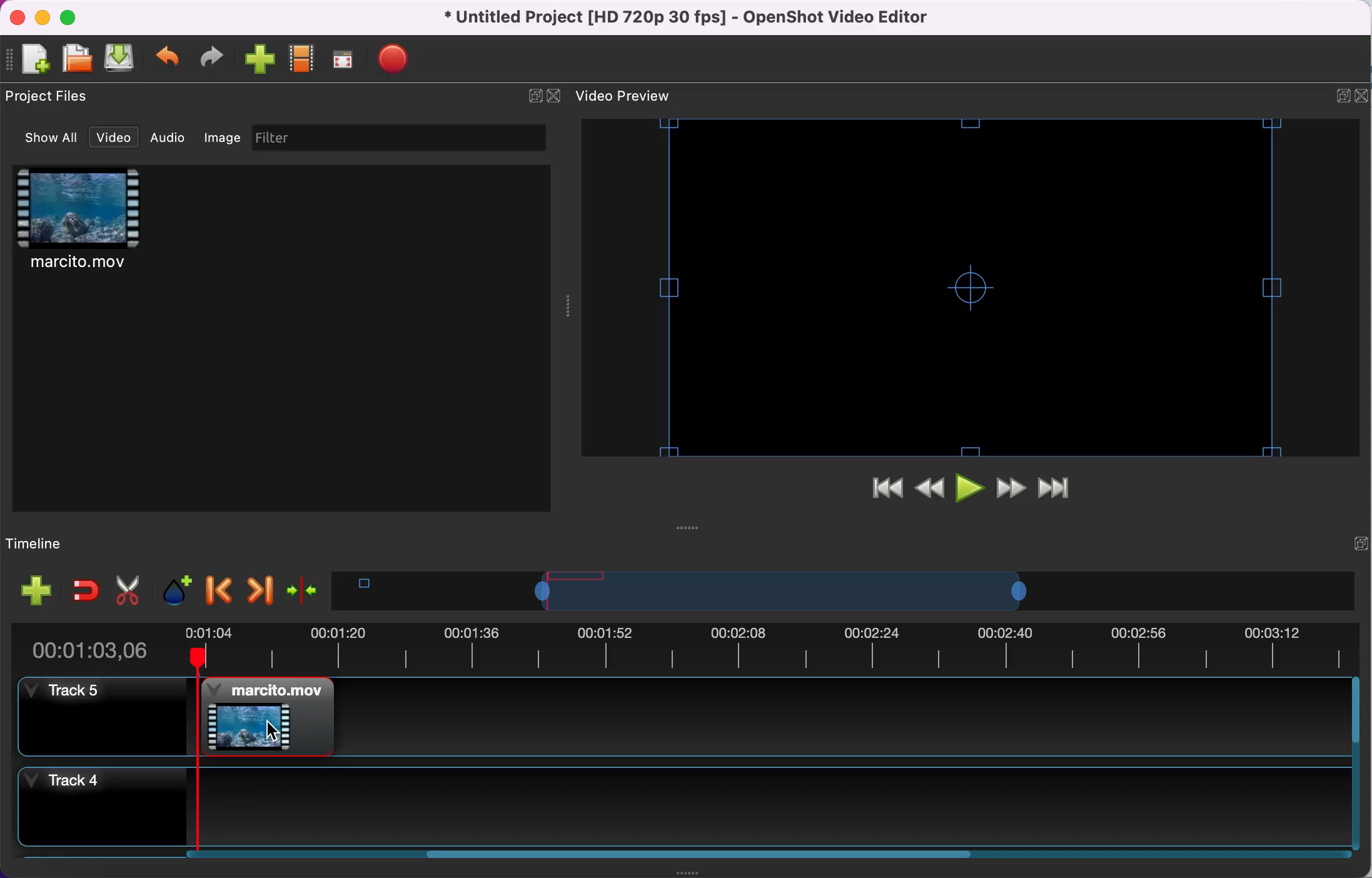 The image size is (1372, 878). I want to click on enable snapping, so click(84, 589).